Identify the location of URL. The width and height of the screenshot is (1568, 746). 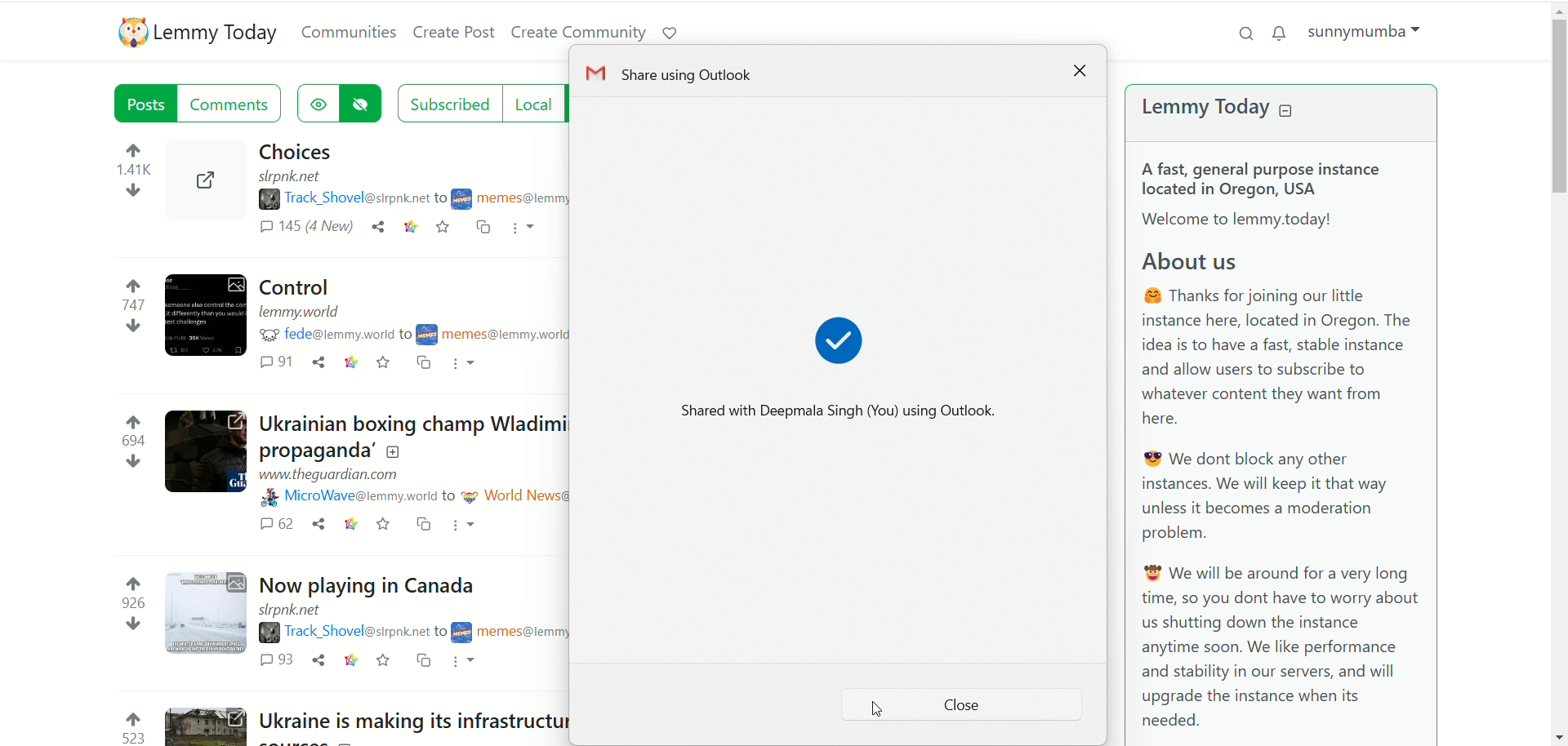
(294, 611).